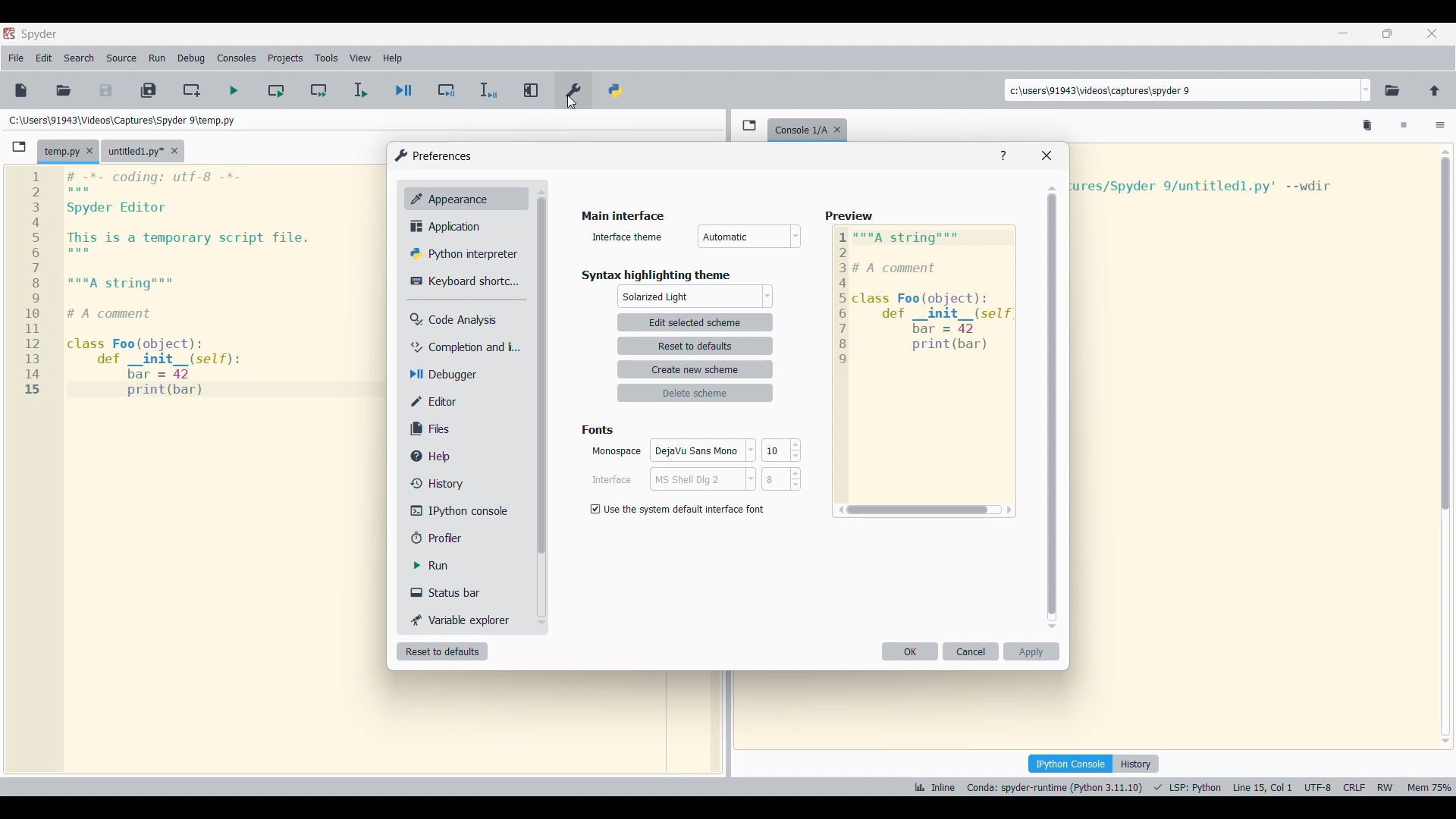 The image size is (1456, 819). I want to click on Current tab, so click(799, 130).